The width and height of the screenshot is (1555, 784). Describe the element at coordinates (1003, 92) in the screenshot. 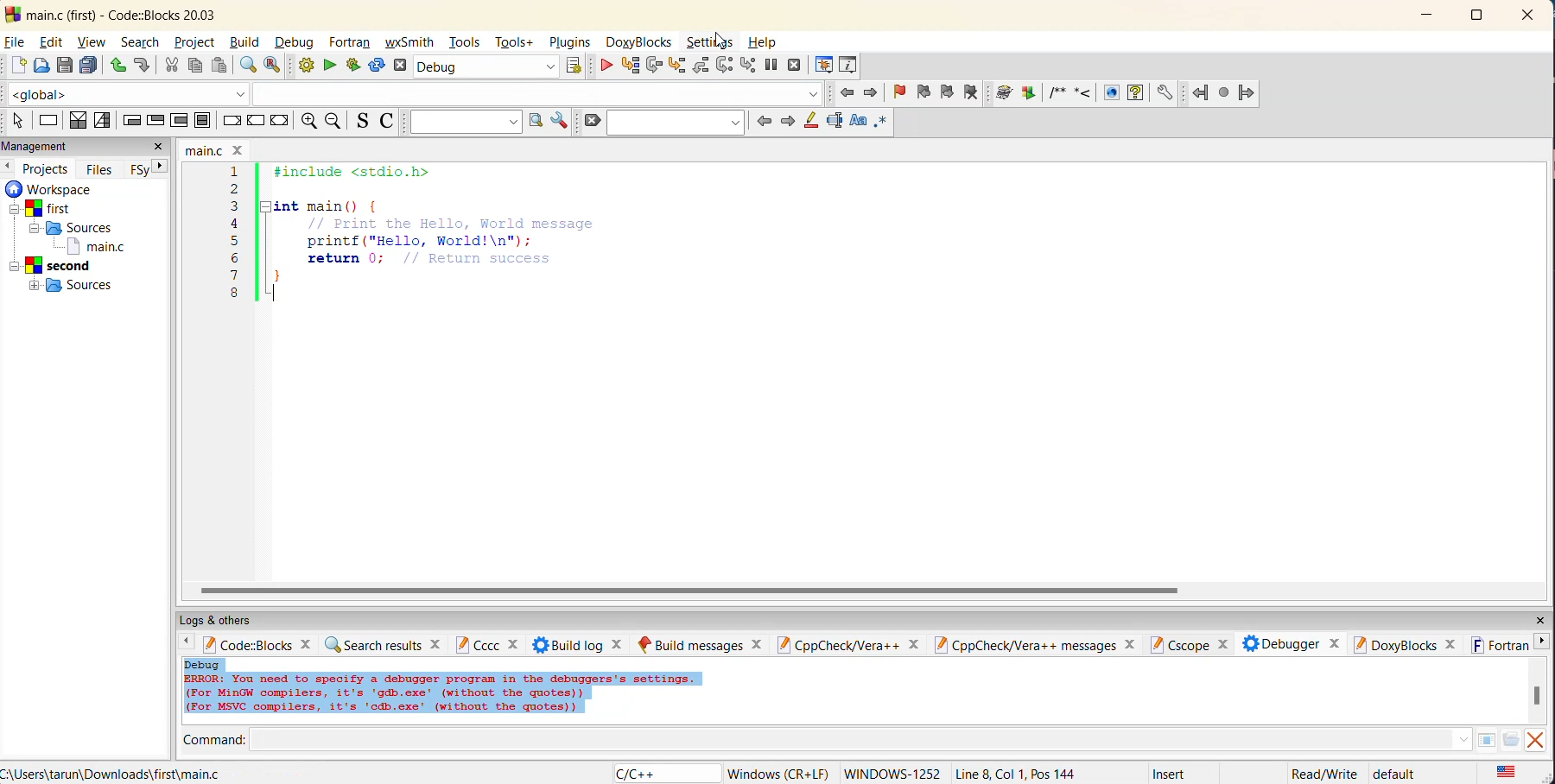

I see `Run doxywizard` at that location.